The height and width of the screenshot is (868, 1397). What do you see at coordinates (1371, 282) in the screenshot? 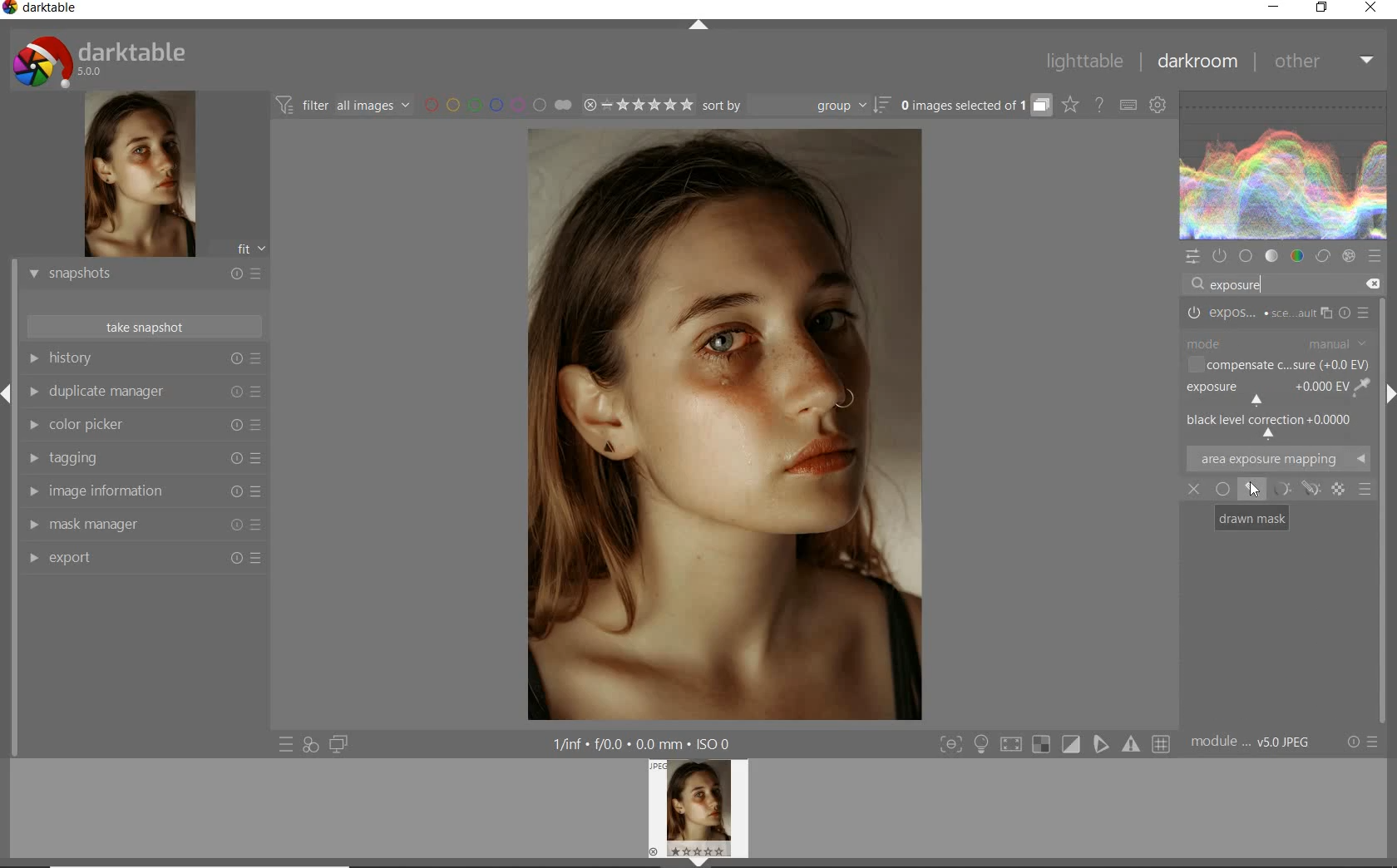
I see `DELETE` at bounding box center [1371, 282].